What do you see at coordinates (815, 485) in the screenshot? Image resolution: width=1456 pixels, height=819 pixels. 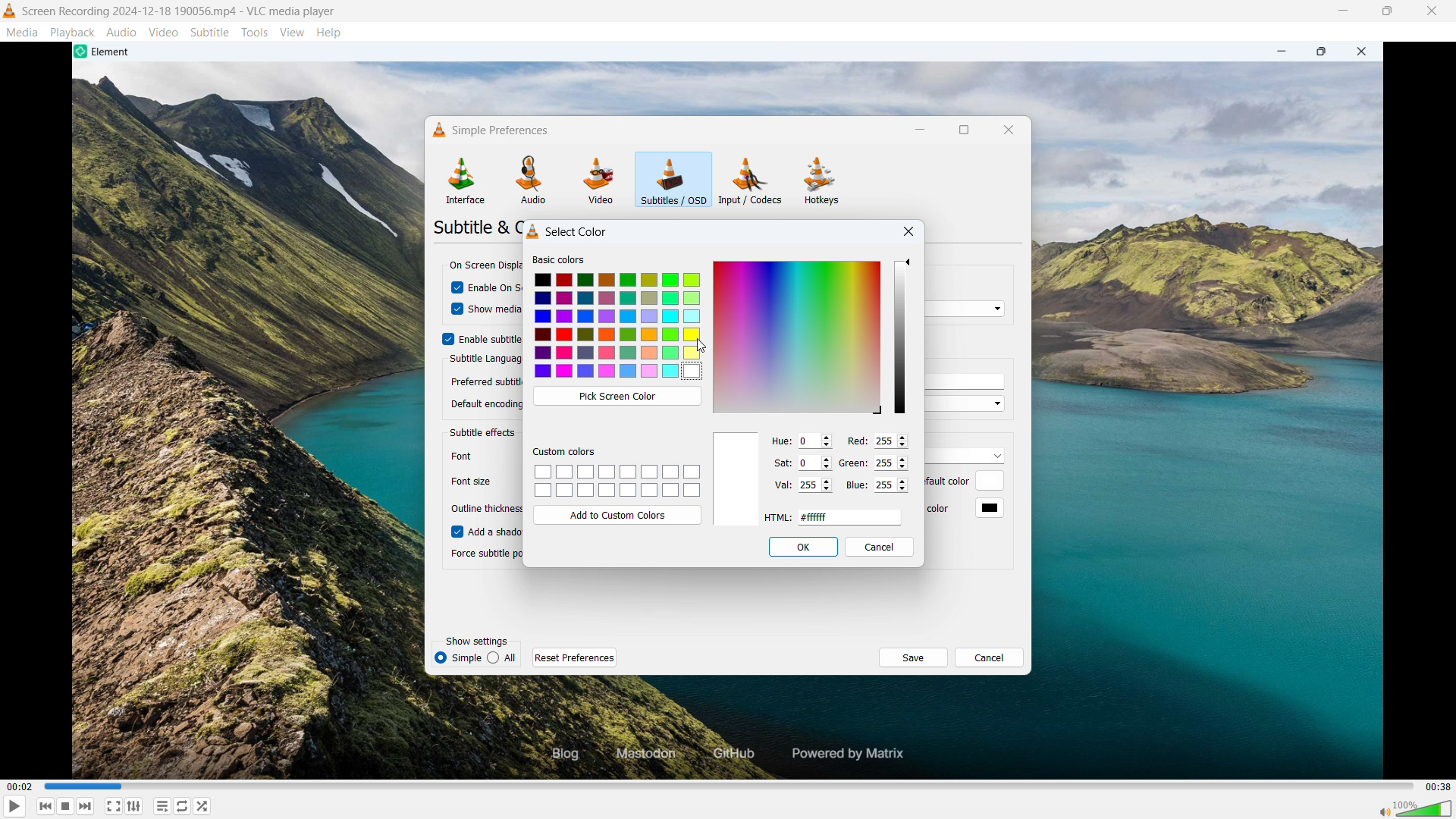 I see `set val` at bounding box center [815, 485].